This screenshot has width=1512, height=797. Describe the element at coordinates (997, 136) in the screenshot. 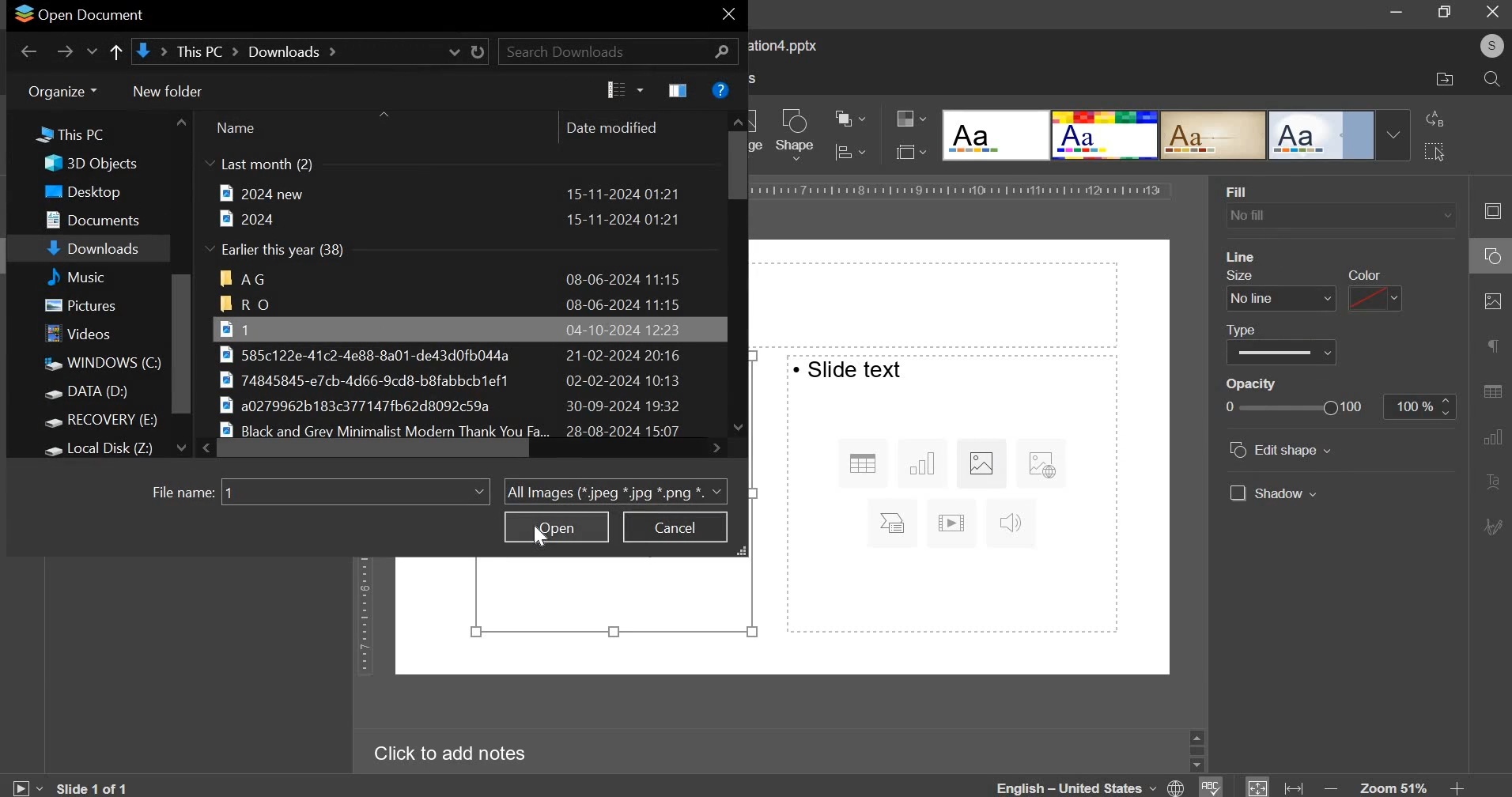

I see `design` at that location.